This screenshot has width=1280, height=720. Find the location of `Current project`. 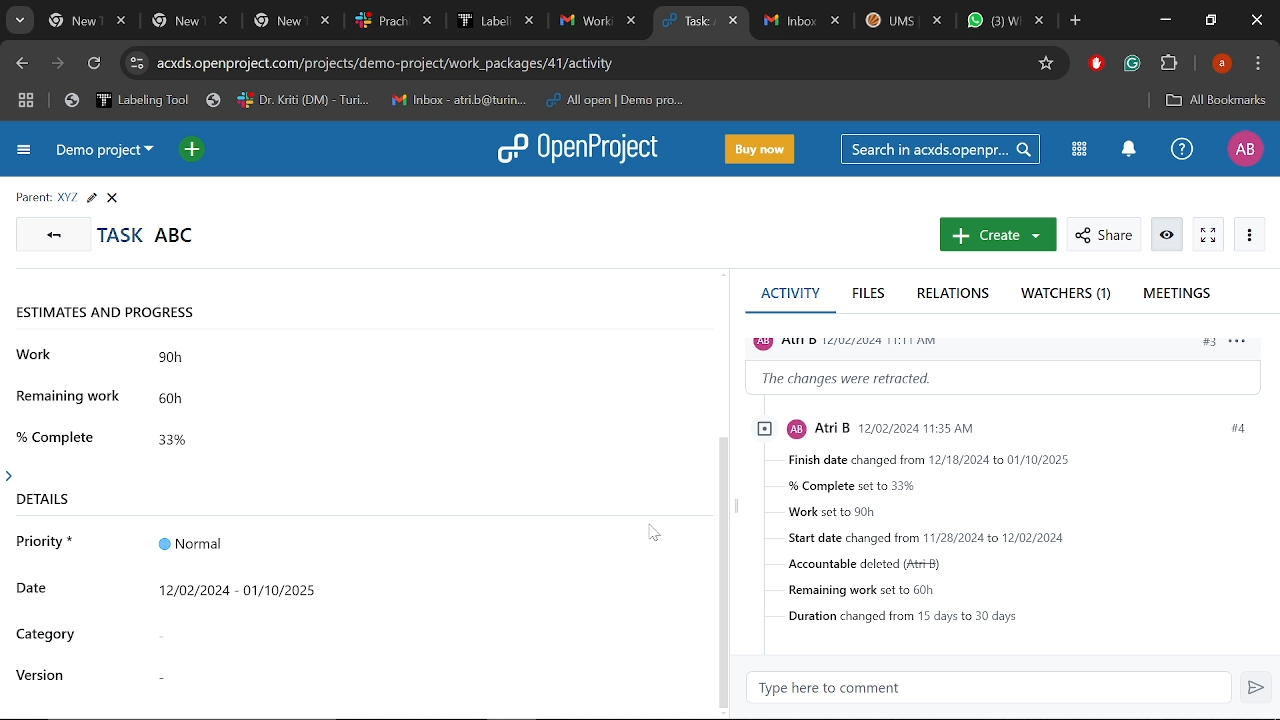

Current project is located at coordinates (103, 150).